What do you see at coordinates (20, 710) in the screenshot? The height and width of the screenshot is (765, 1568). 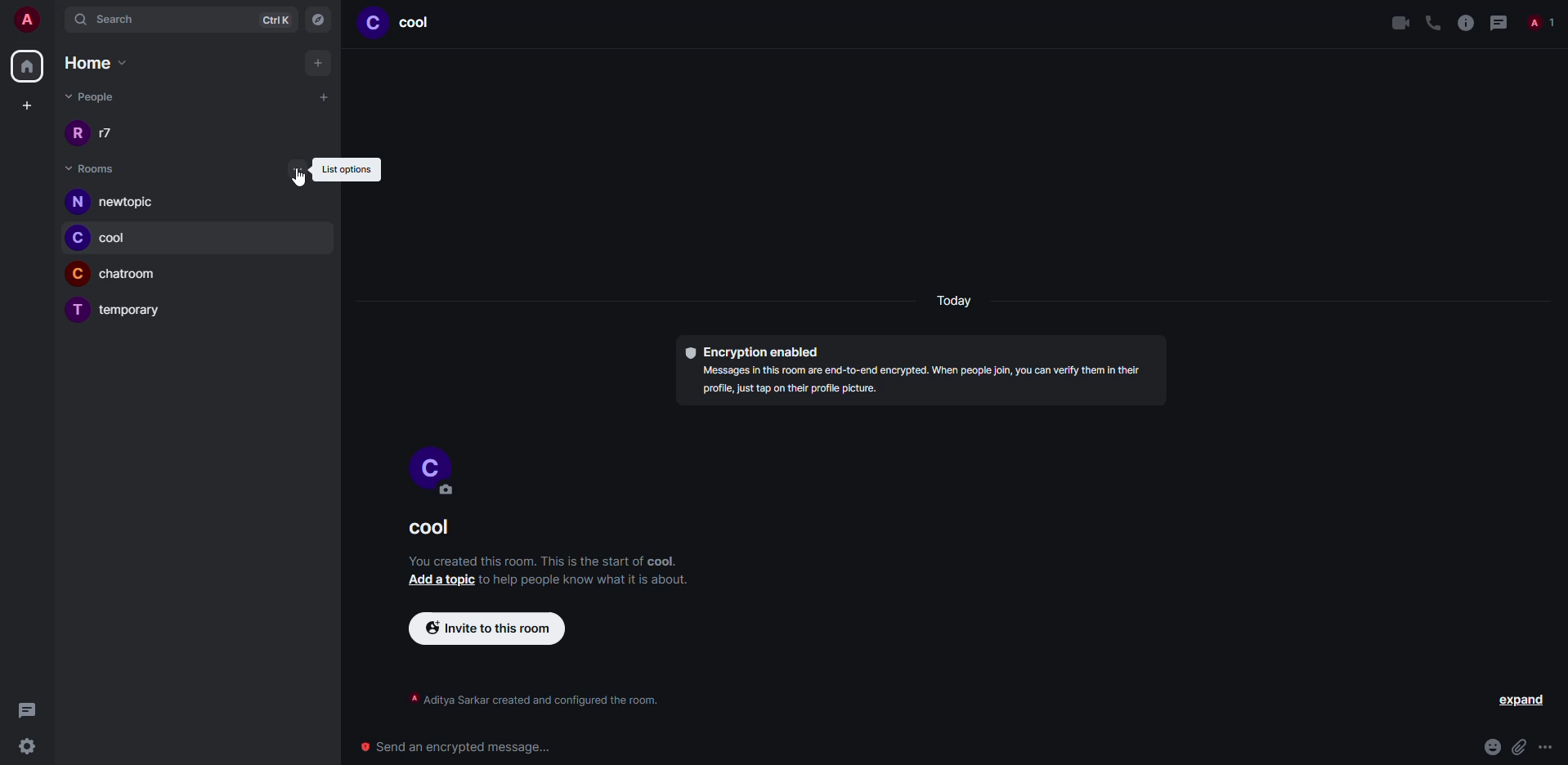 I see `threads` at bounding box center [20, 710].